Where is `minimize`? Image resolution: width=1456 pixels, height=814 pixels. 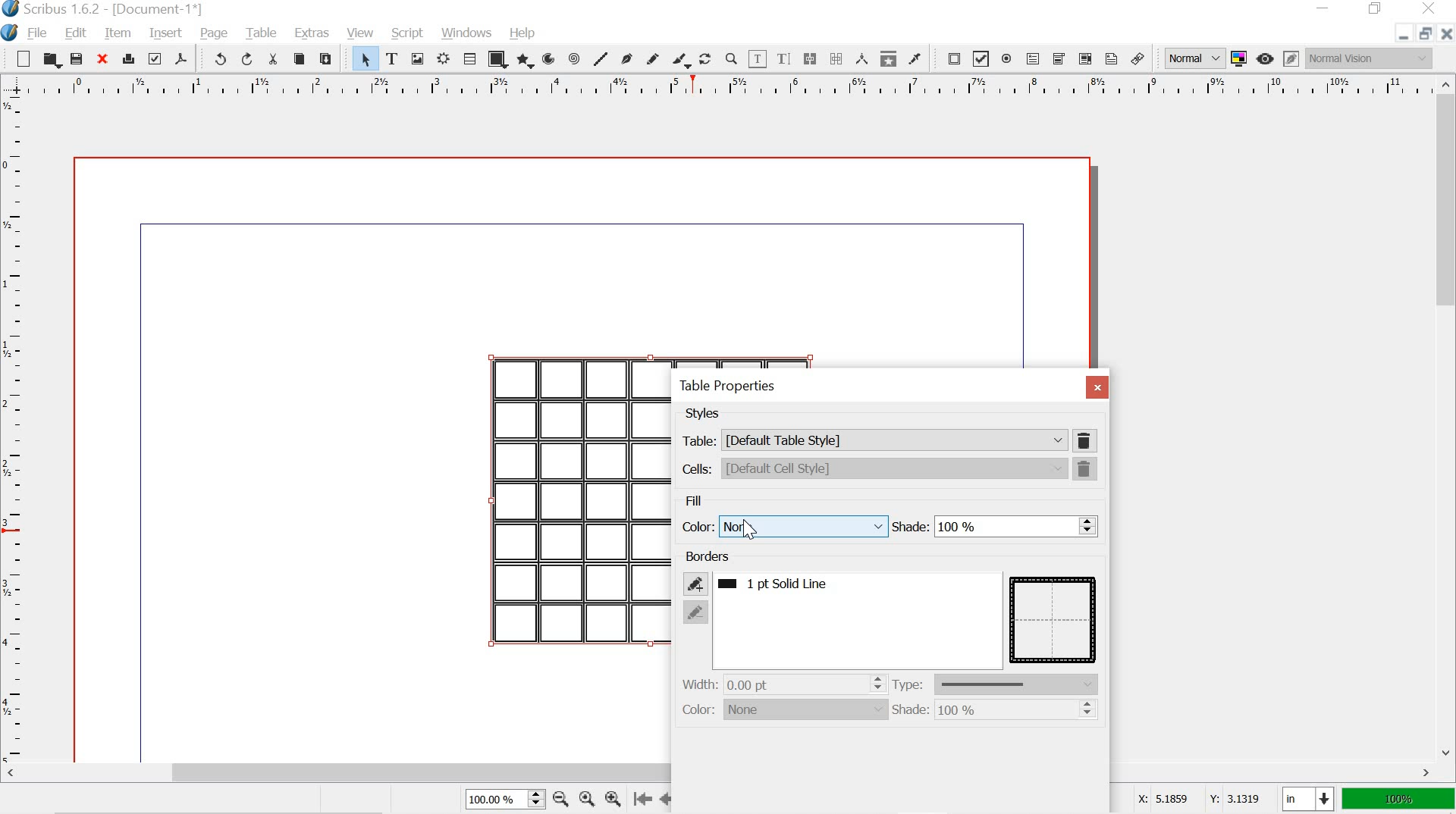
minimize is located at coordinates (1397, 36).